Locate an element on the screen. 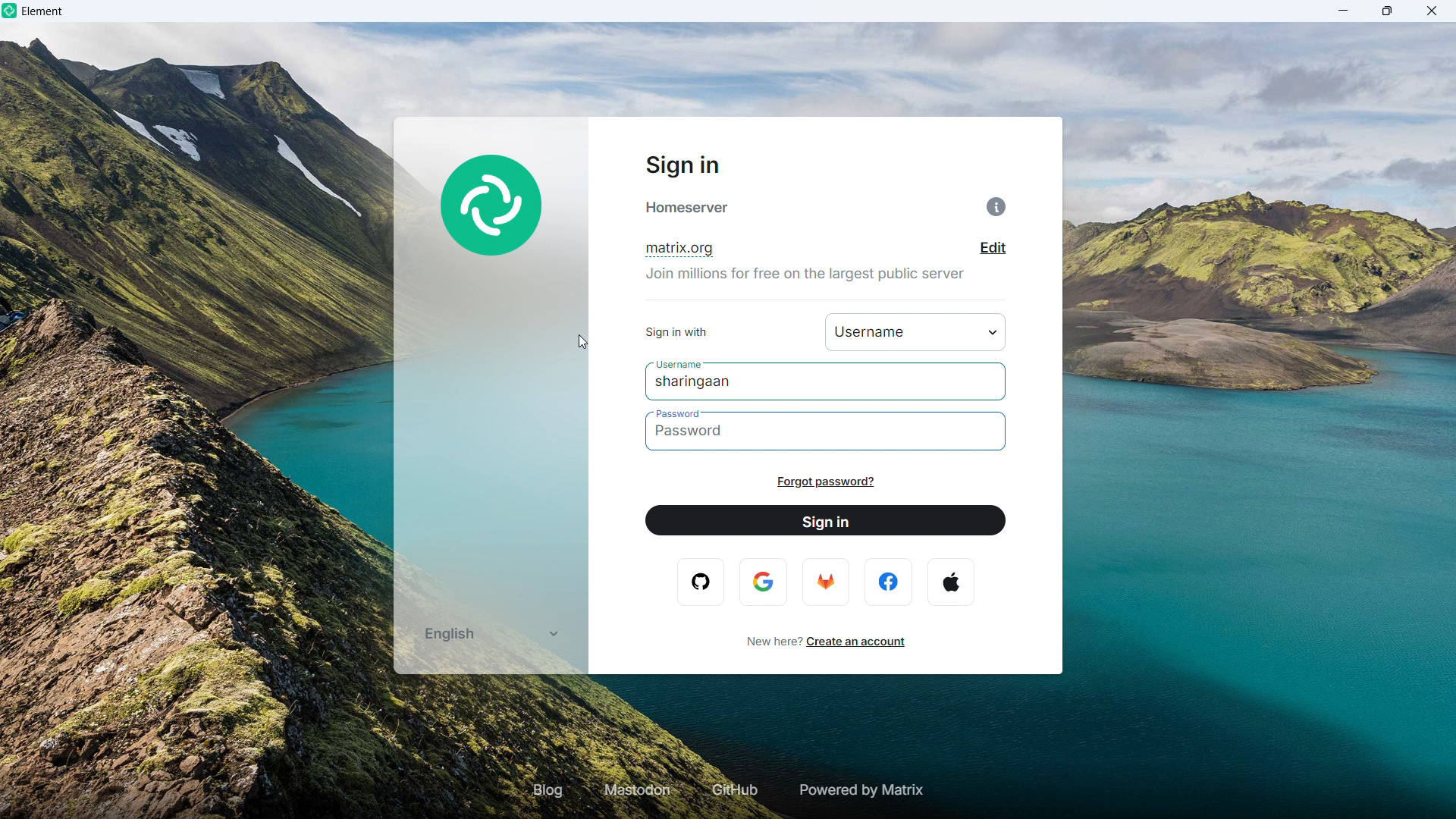 Image resolution: width=1456 pixels, height=819 pixels. google logo is located at coordinates (765, 582).